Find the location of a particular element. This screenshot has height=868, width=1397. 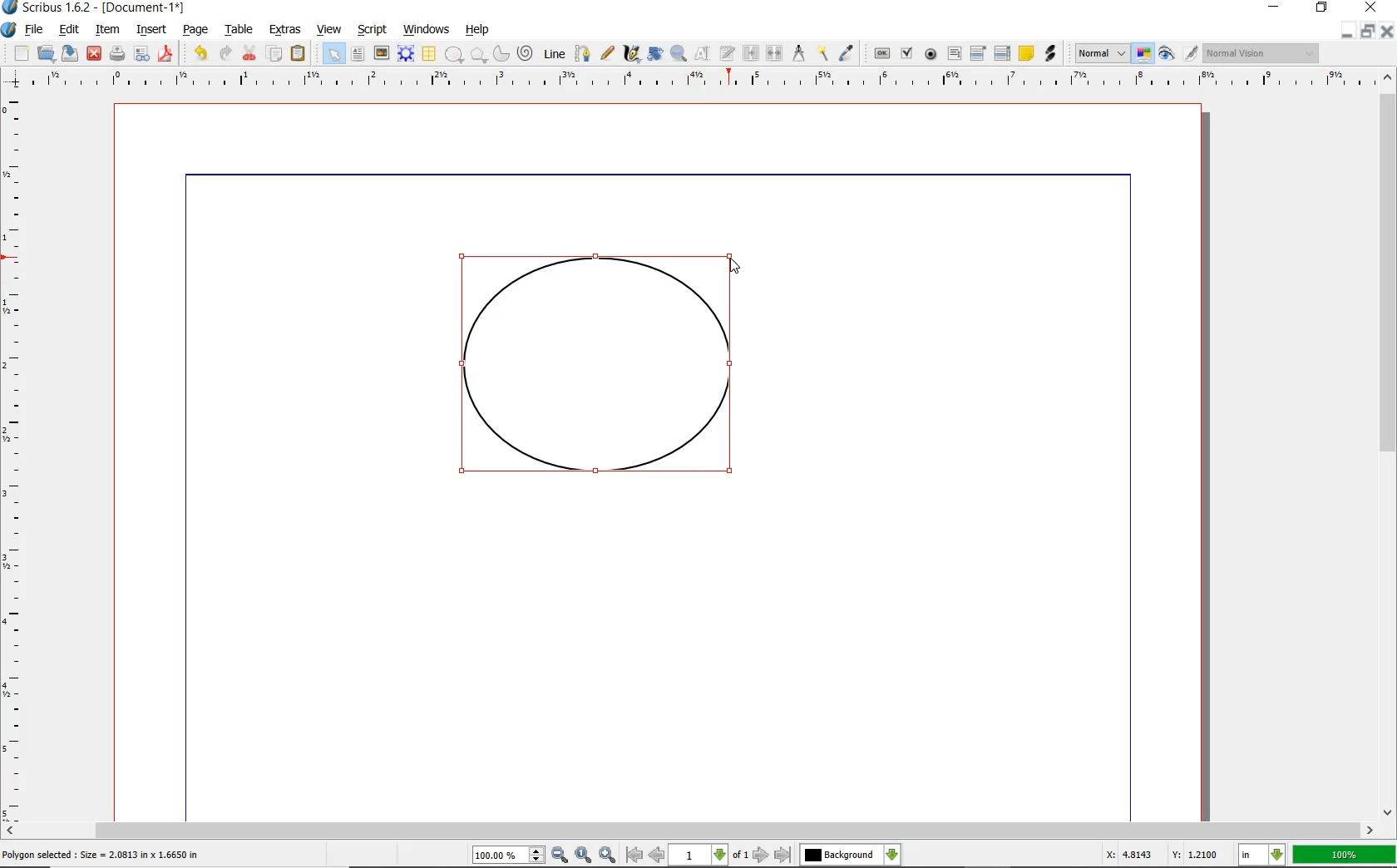

SYSTEM LOGO is located at coordinates (9, 30).